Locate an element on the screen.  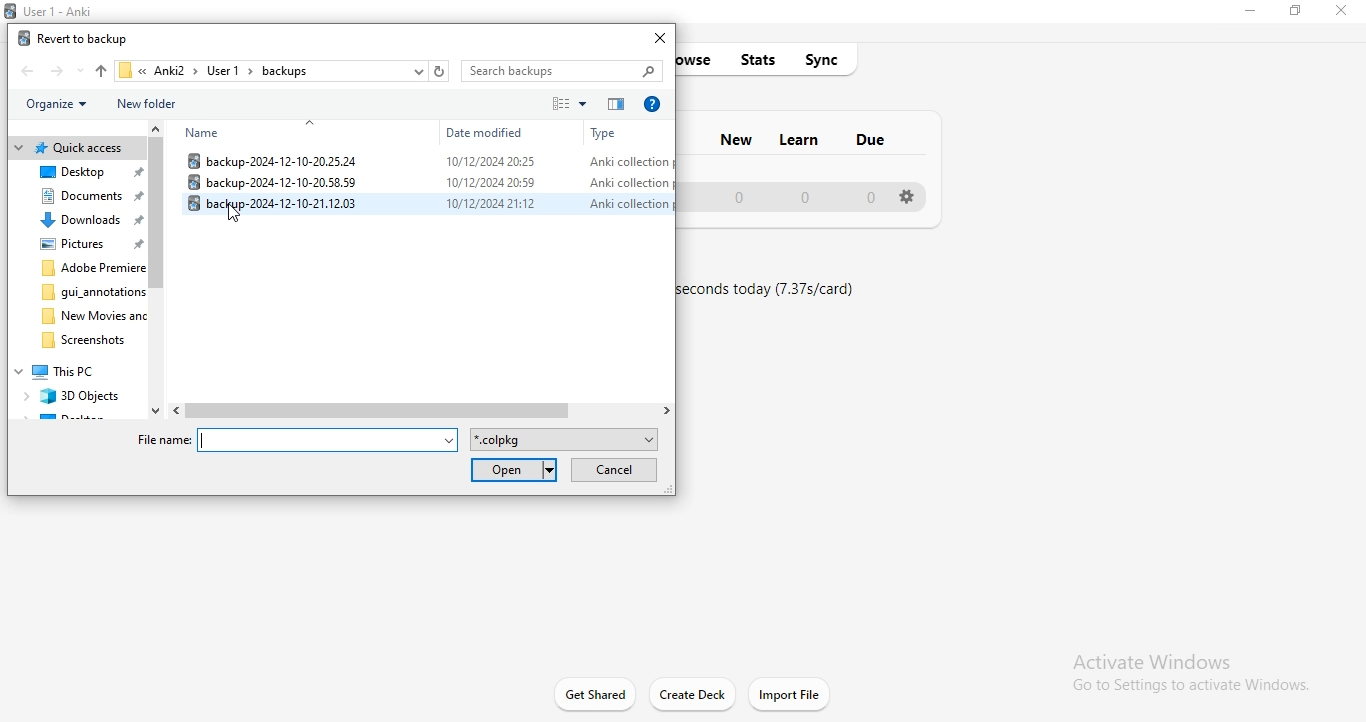
Cursor is located at coordinates (240, 215).